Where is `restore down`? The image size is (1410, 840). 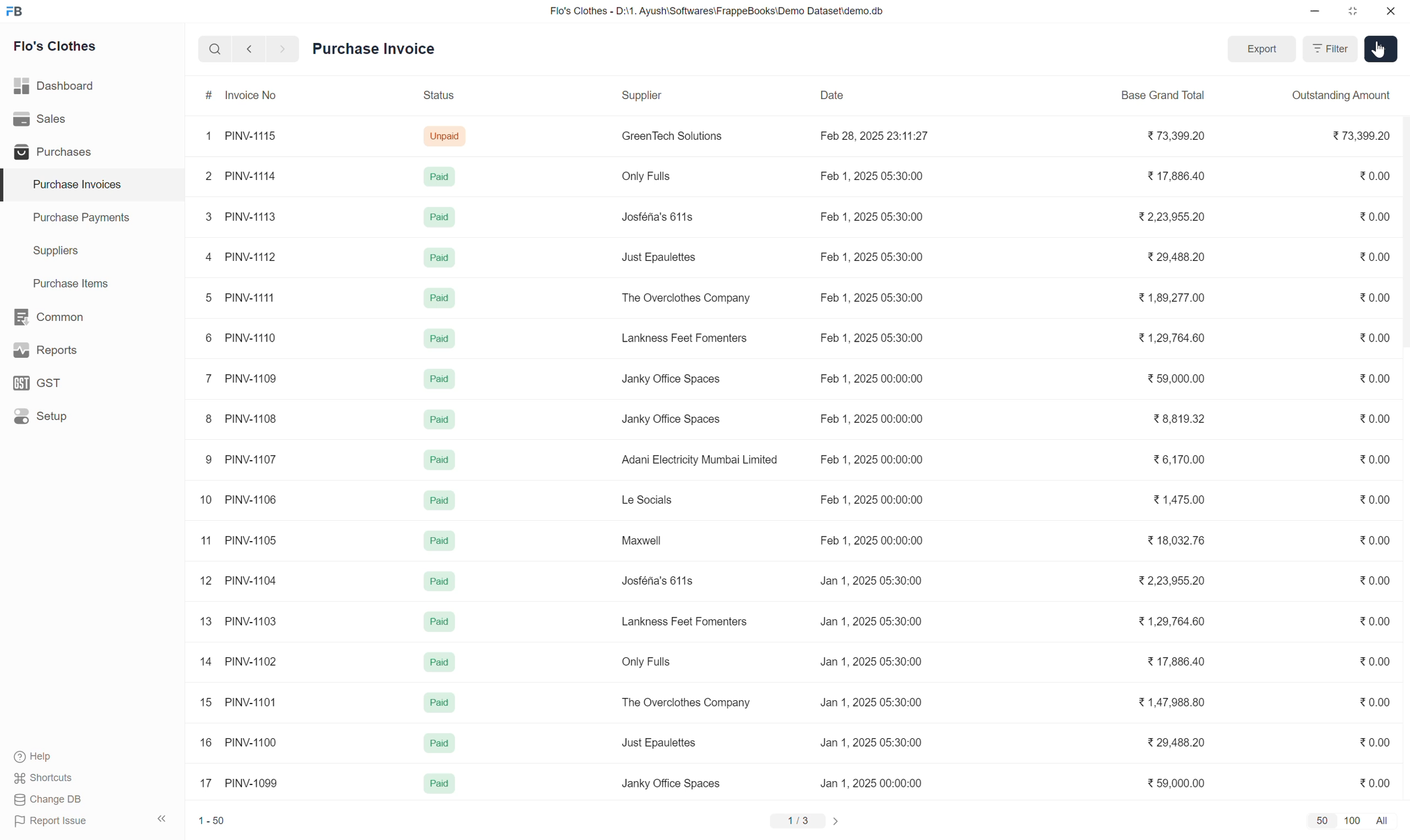 restore down is located at coordinates (1351, 14).